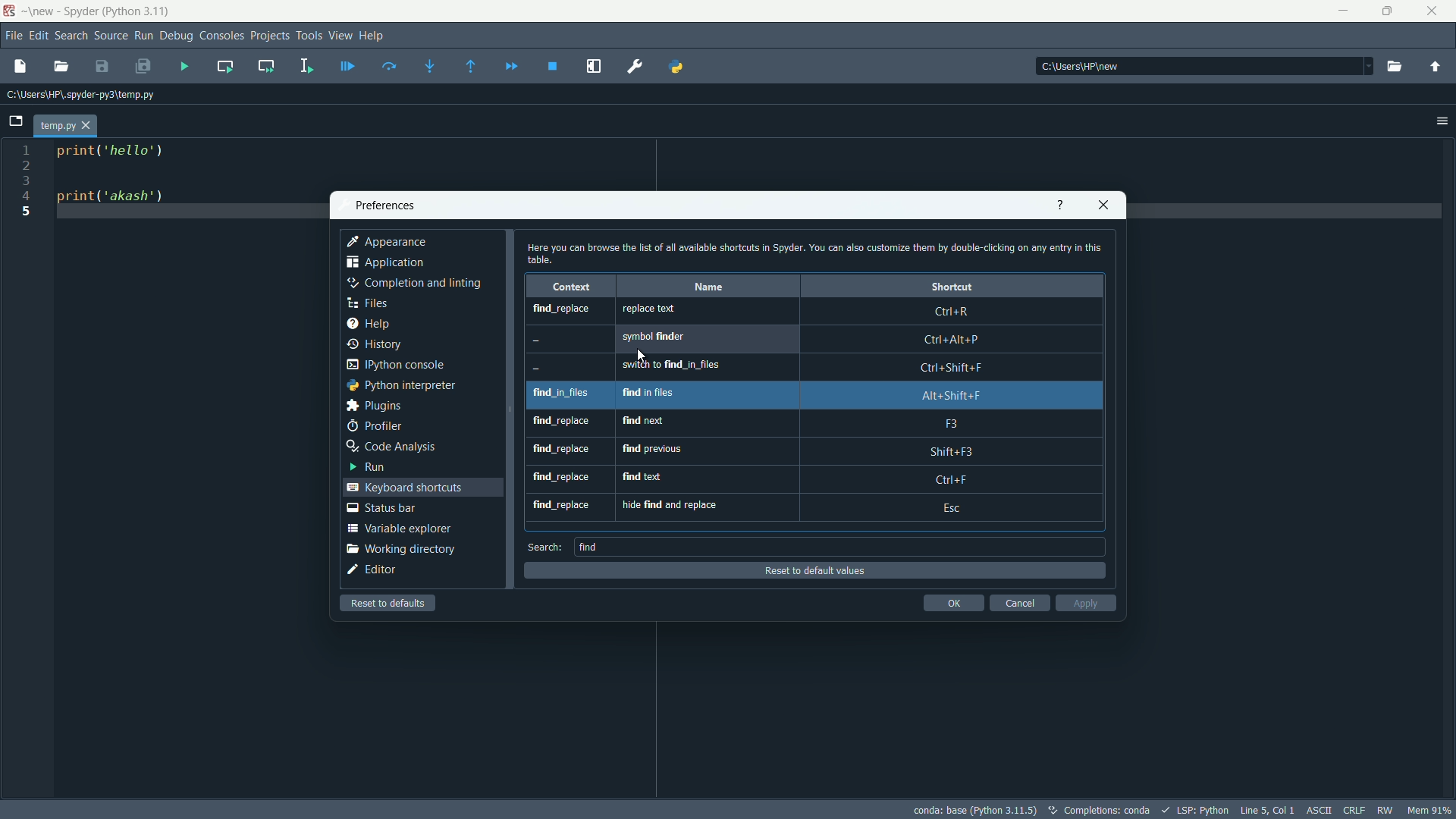  What do you see at coordinates (971, 812) in the screenshot?
I see `conda: base (Python 3.11.5)` at bounding box center [971, 812].